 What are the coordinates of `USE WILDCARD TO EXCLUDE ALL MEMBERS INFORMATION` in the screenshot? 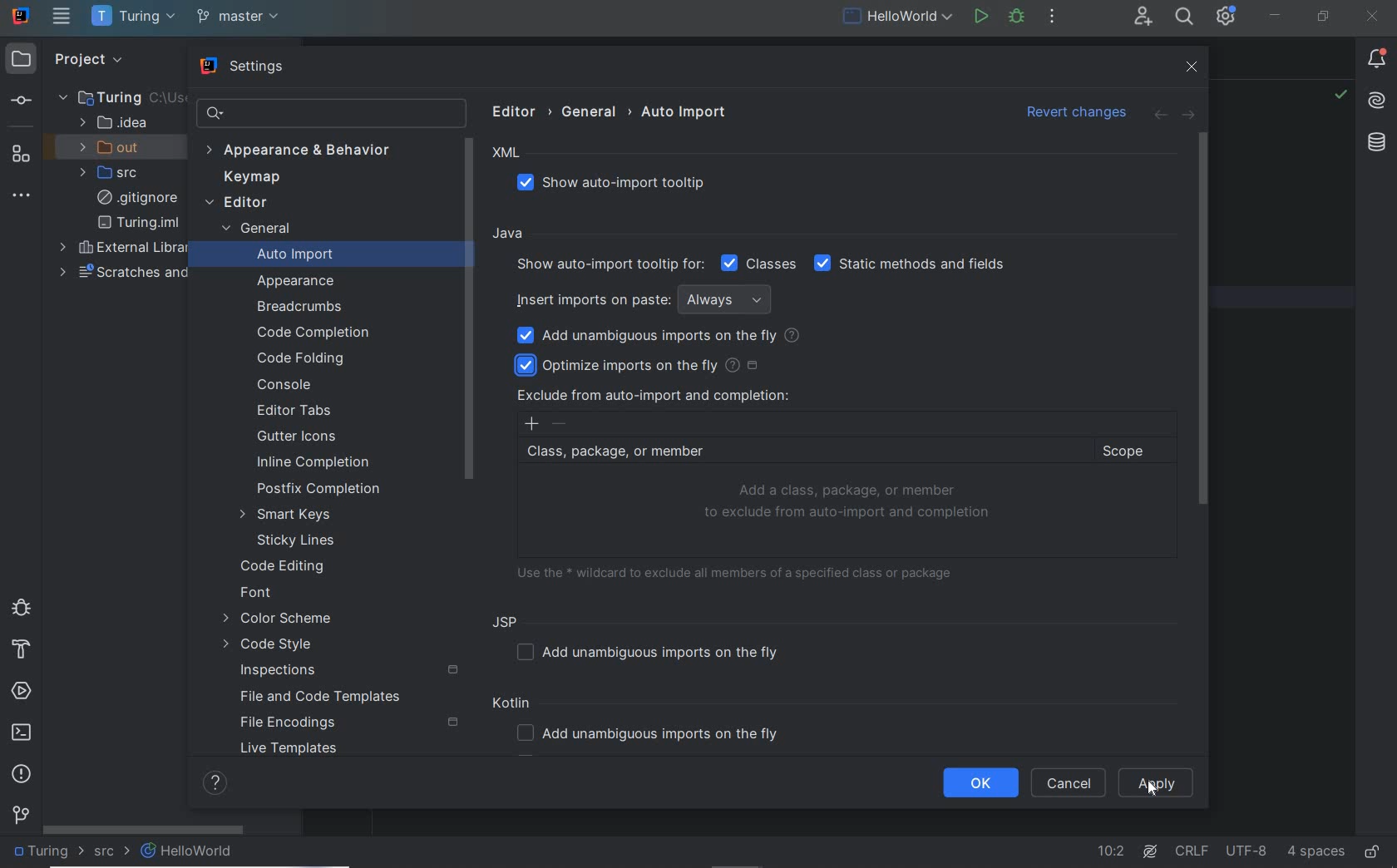 It's located at (741, 571).